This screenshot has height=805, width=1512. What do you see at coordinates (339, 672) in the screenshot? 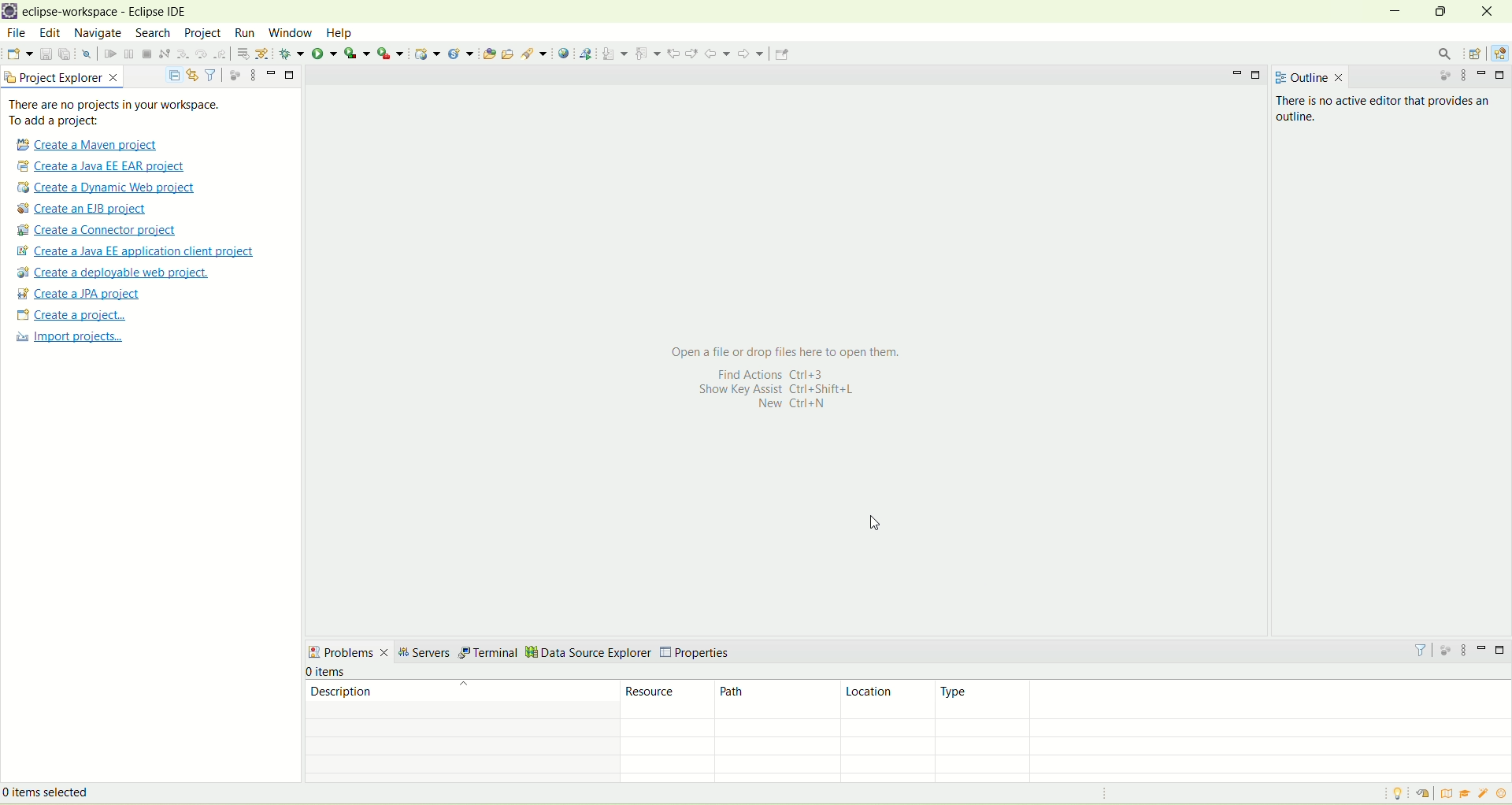
I see `number of items` at bounding box center [339, 672].